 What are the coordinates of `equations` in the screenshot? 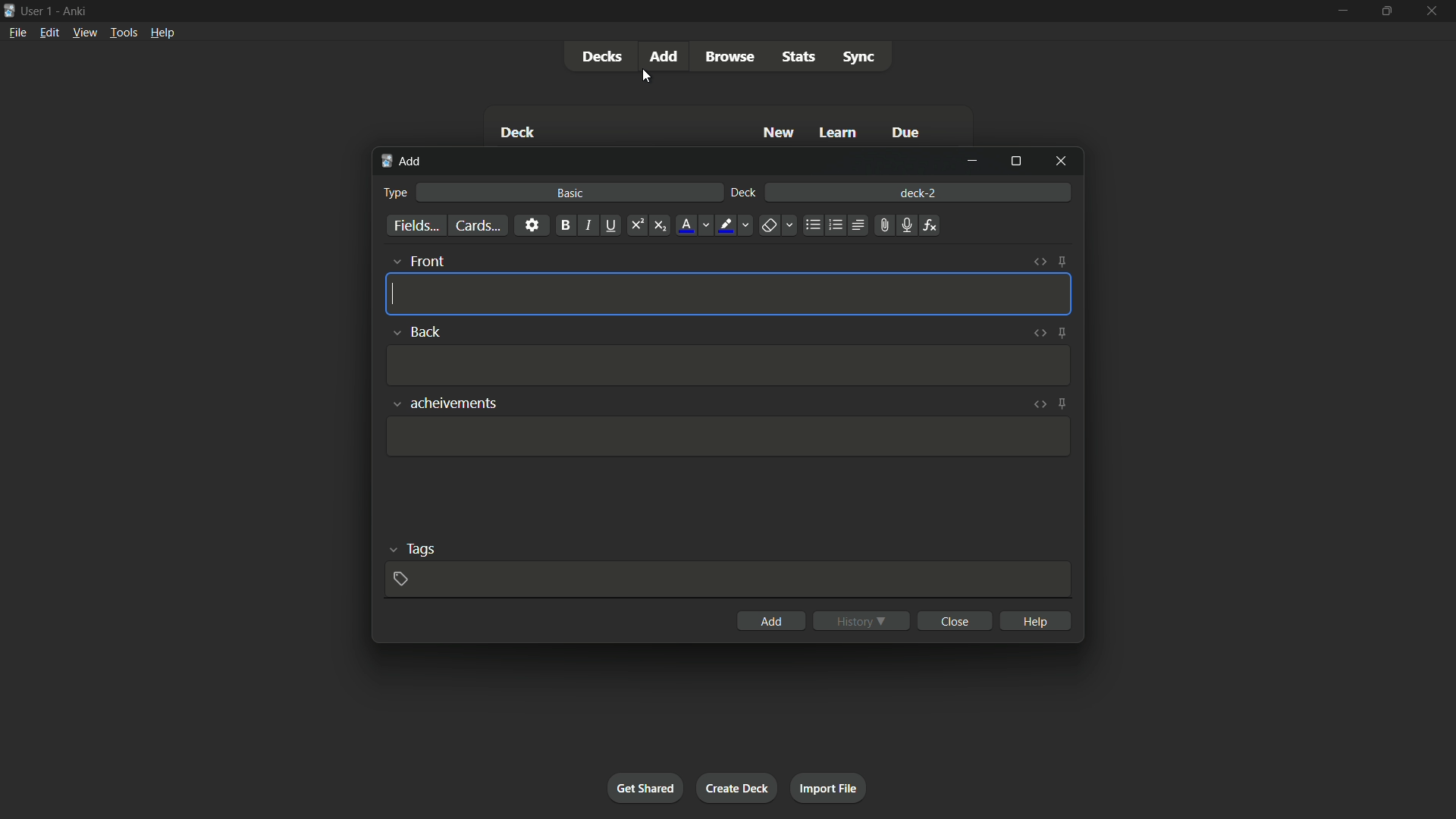 It's located at (930, 225).